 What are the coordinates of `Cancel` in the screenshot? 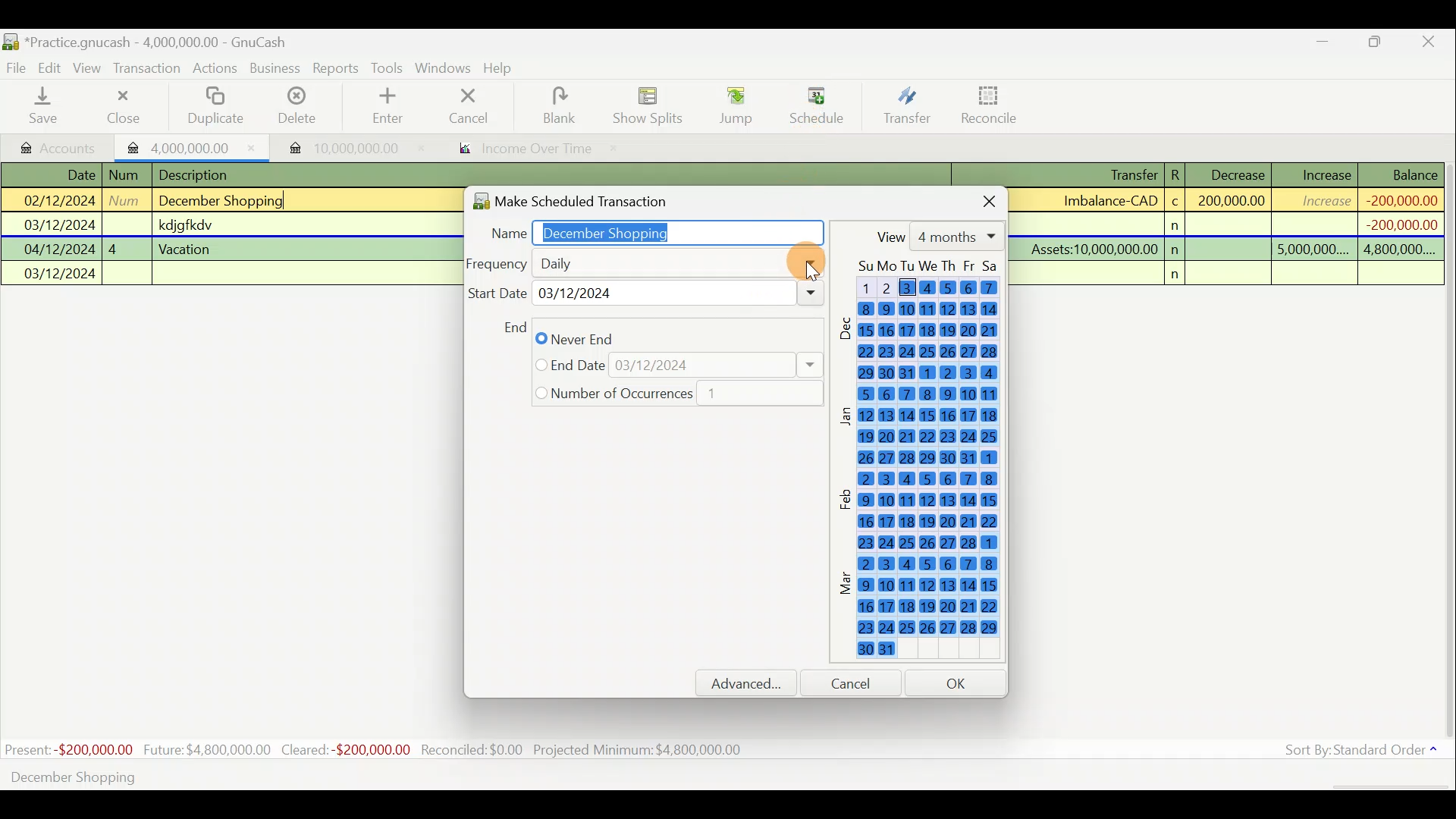 It's located at (469, 105).